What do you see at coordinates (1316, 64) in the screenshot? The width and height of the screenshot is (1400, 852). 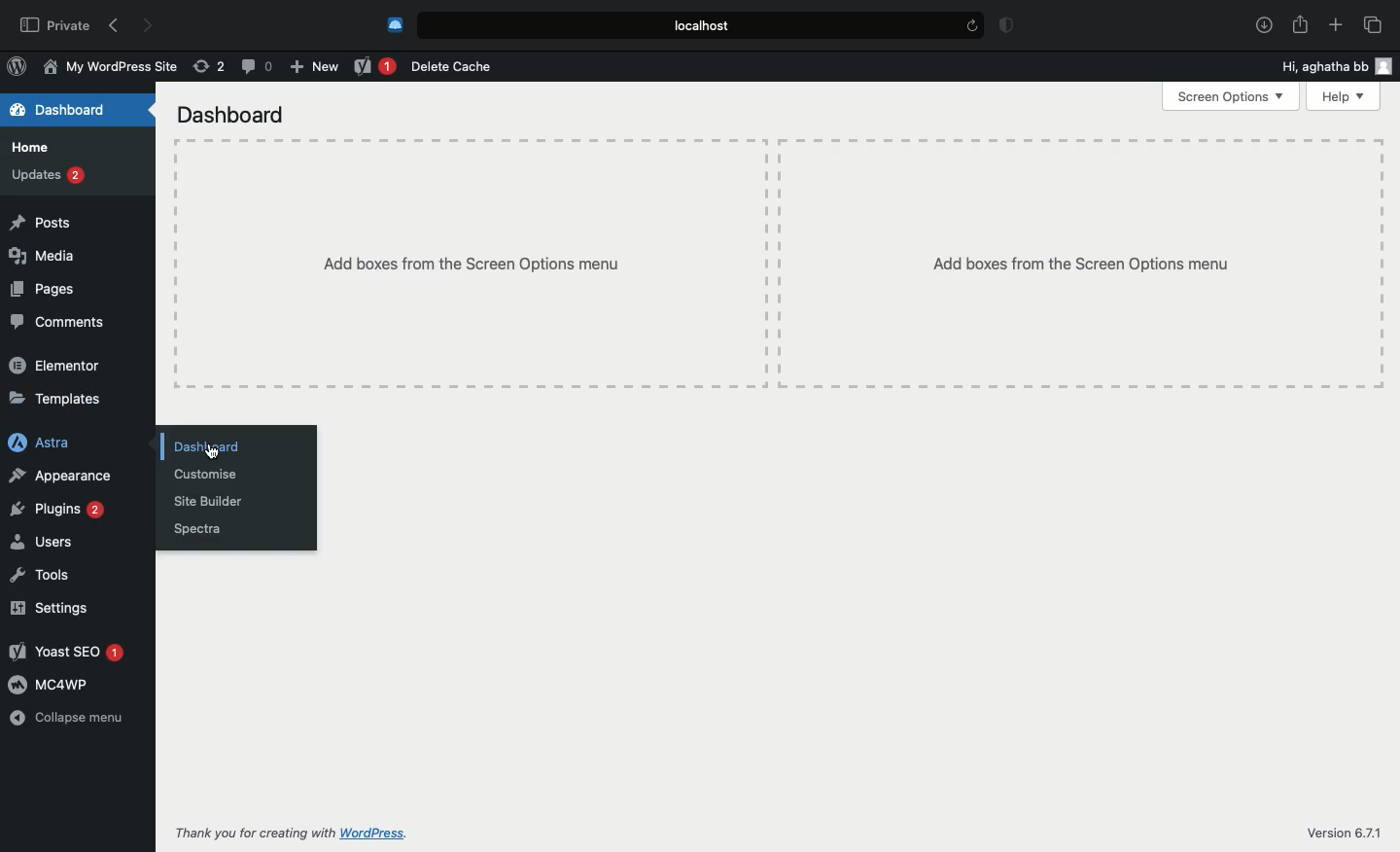 I see `Hi, aghatha bb` at bounding box center [1316, 64].